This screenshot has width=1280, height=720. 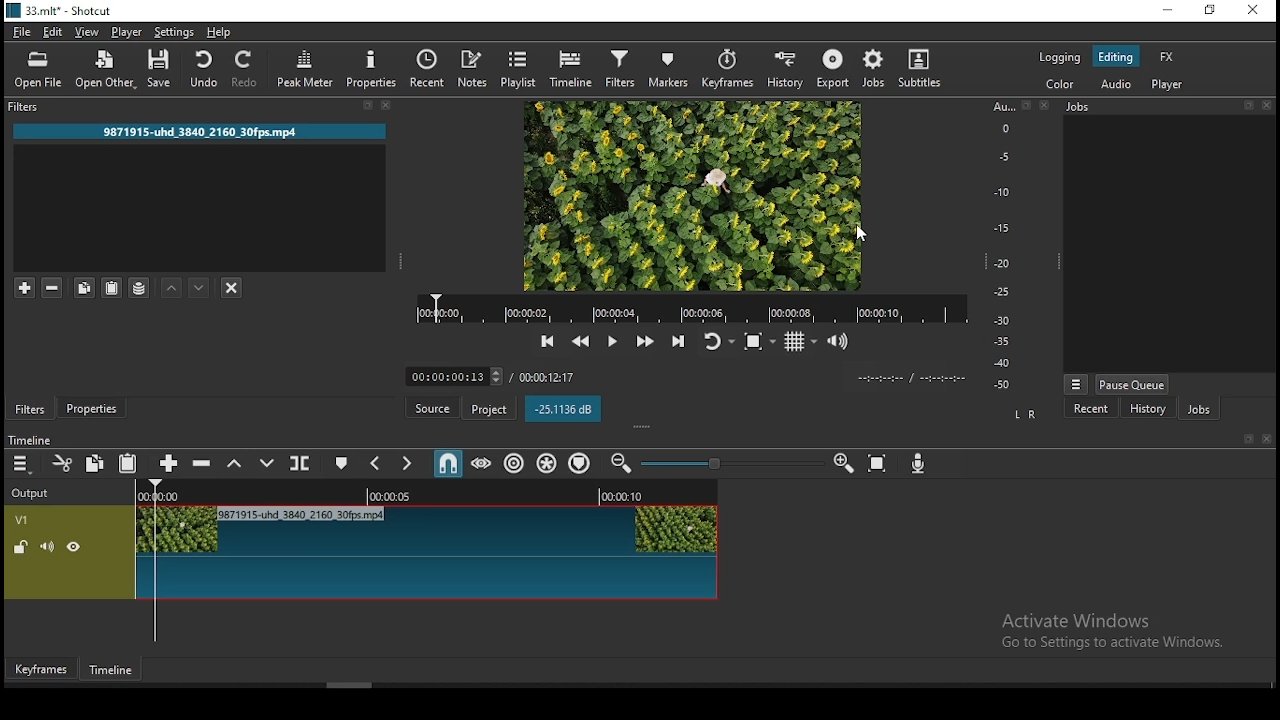 What do you see at coordinates (579, 341) in the screenshot?
I see `play quickly backward` at bounding box center [579, 341].